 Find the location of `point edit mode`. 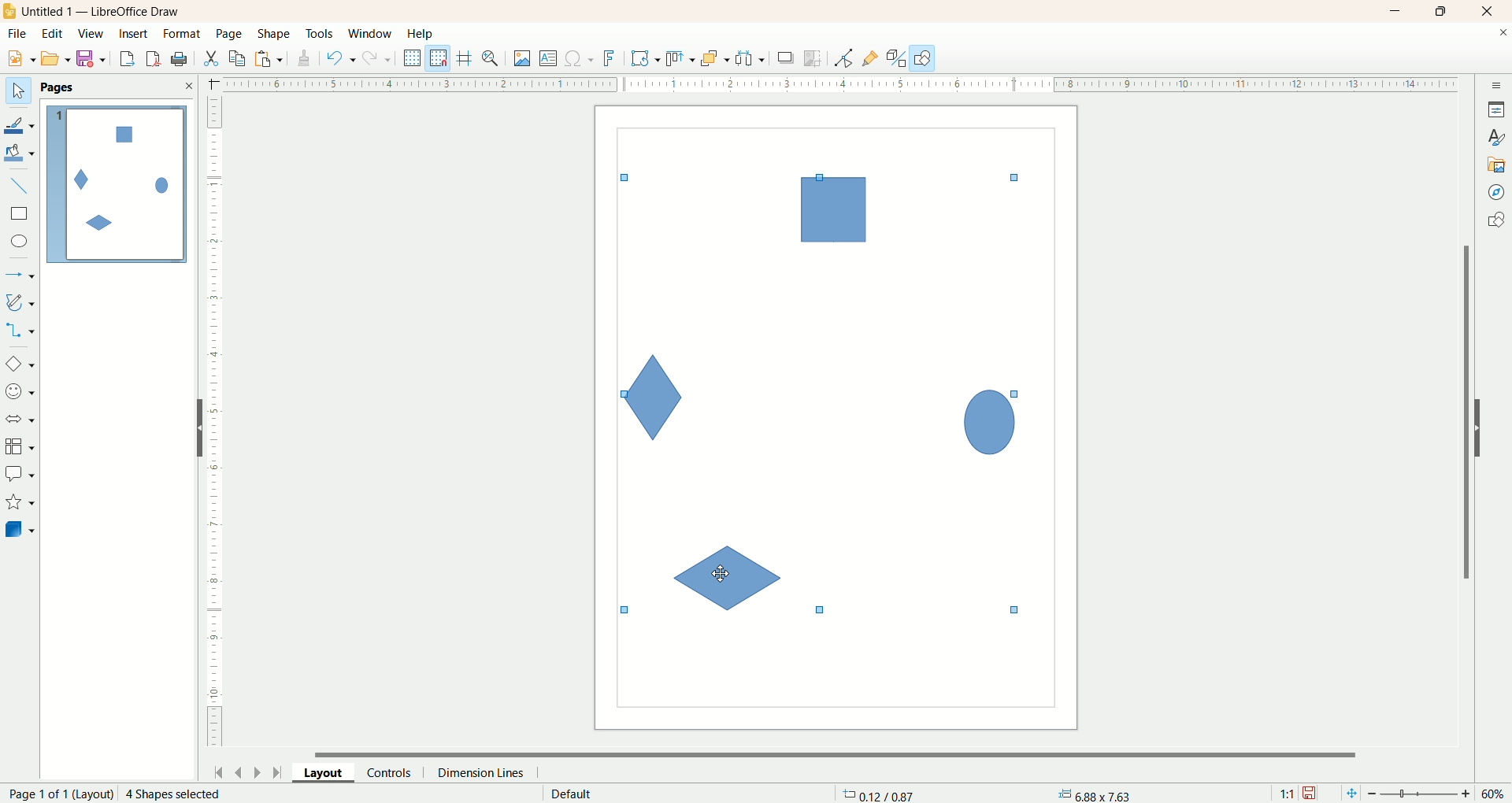

point edit mode is located at coordinates (843, 59).